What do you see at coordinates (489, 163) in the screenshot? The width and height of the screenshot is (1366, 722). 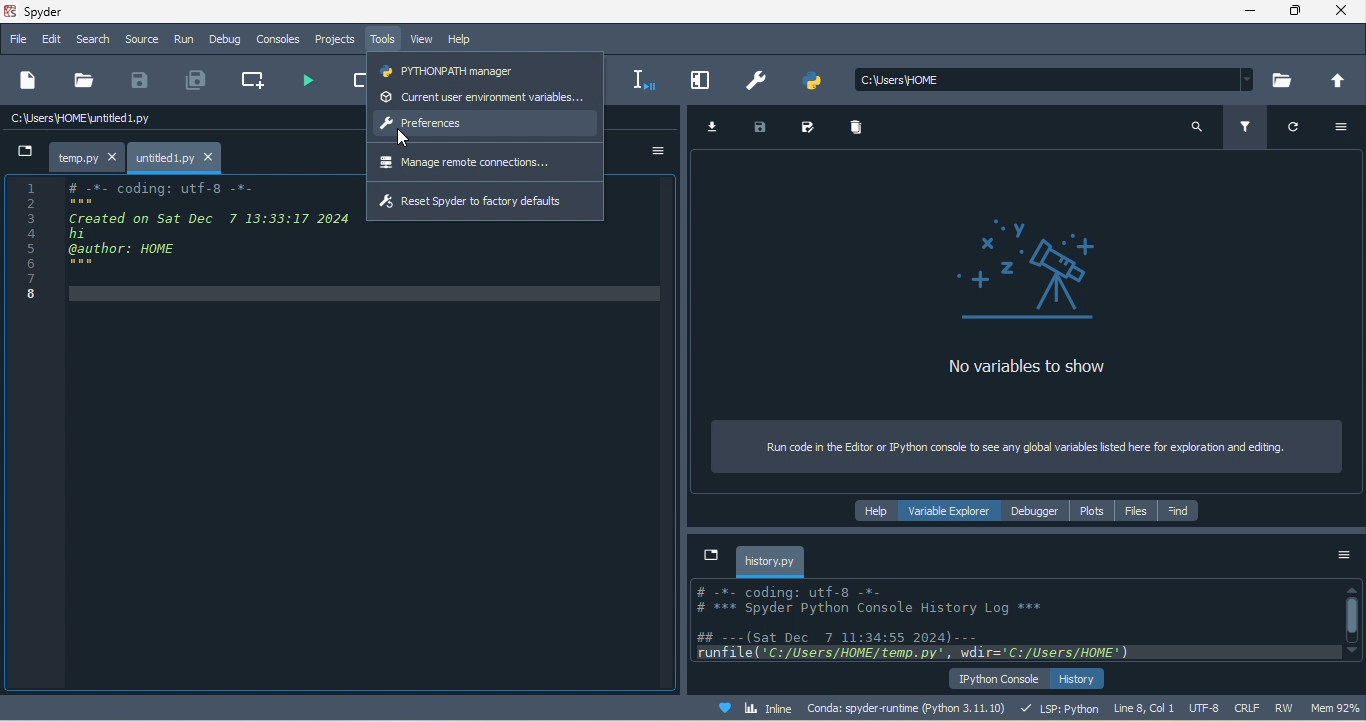 I see `manage remote connection` at bounding box center [489, 163].